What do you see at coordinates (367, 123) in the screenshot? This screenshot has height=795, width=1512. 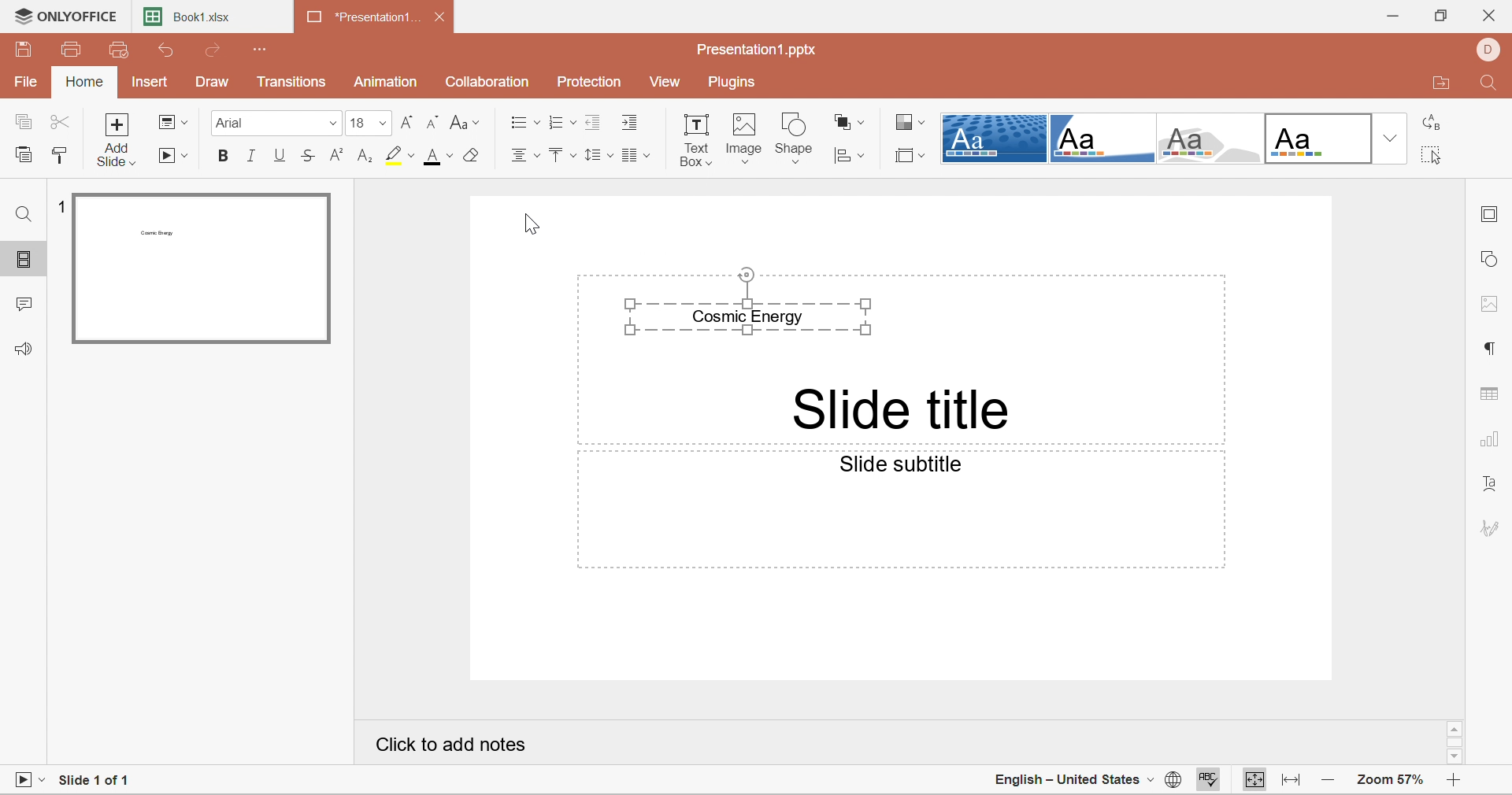 I see `18` at bounding box center [367, 123].